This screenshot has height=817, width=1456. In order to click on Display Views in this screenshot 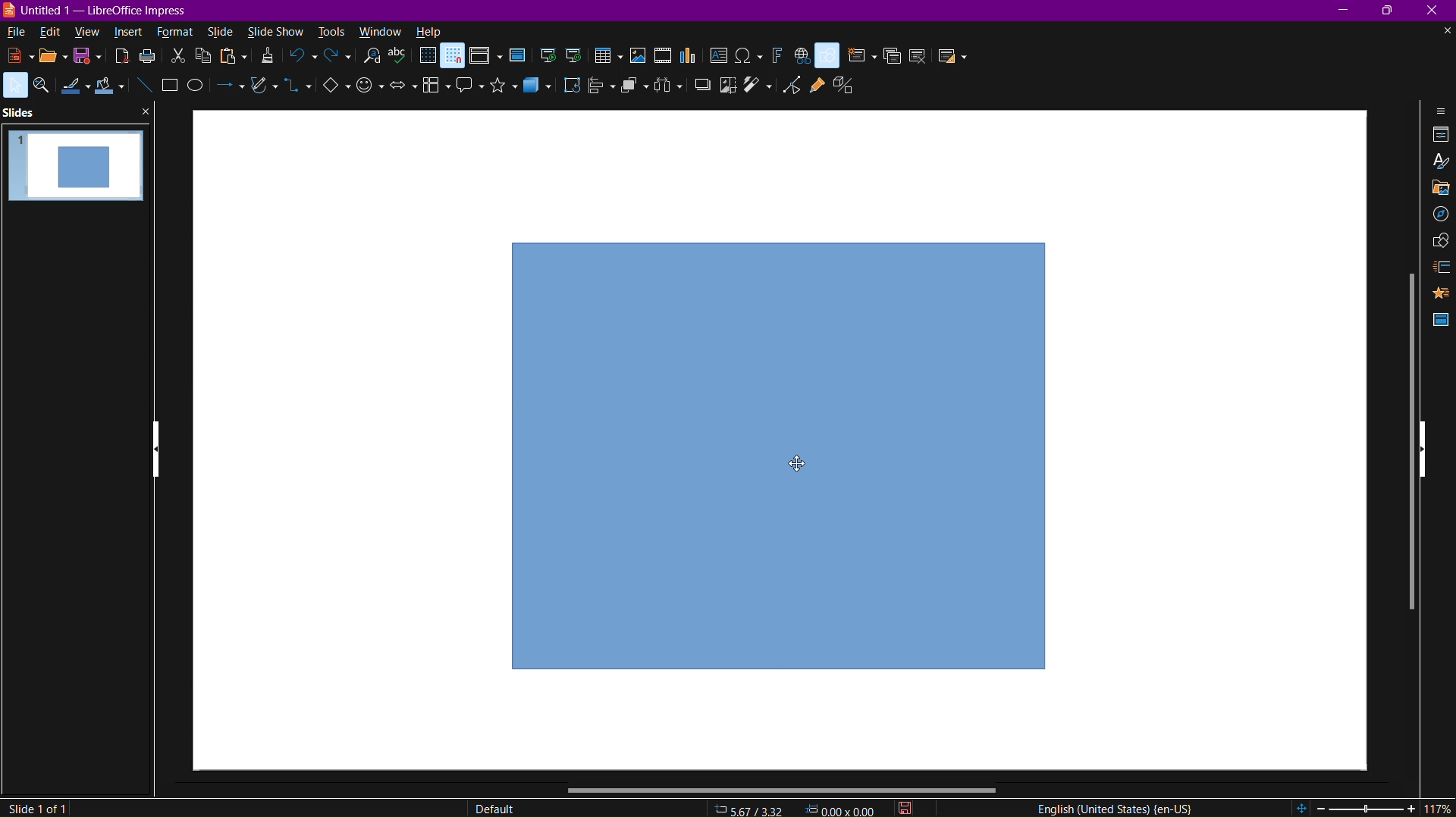, I will do `click(485, 57)`.